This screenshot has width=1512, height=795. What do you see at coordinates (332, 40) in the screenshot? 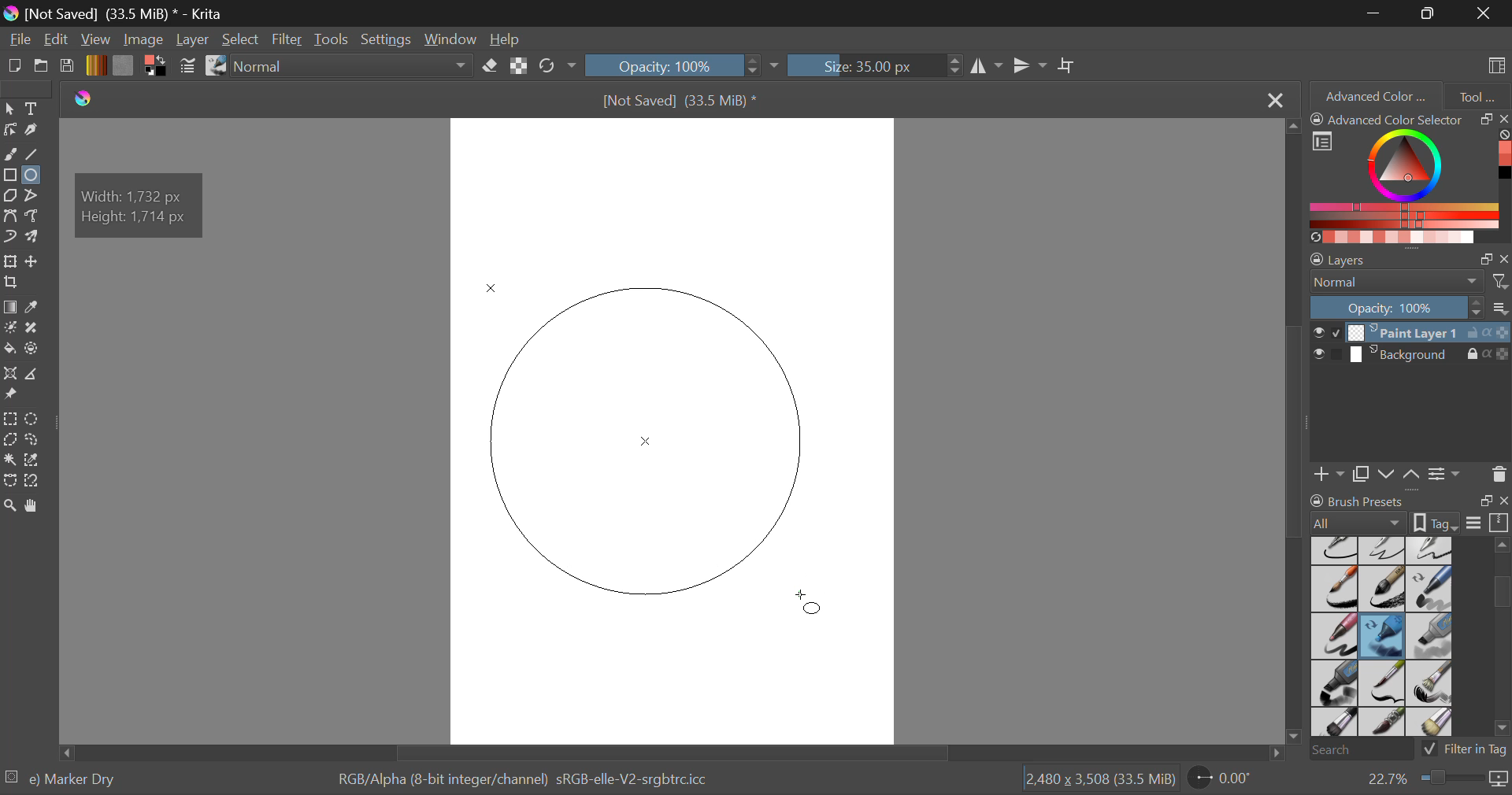
I see `Tools` at bounding box center [332, 40].